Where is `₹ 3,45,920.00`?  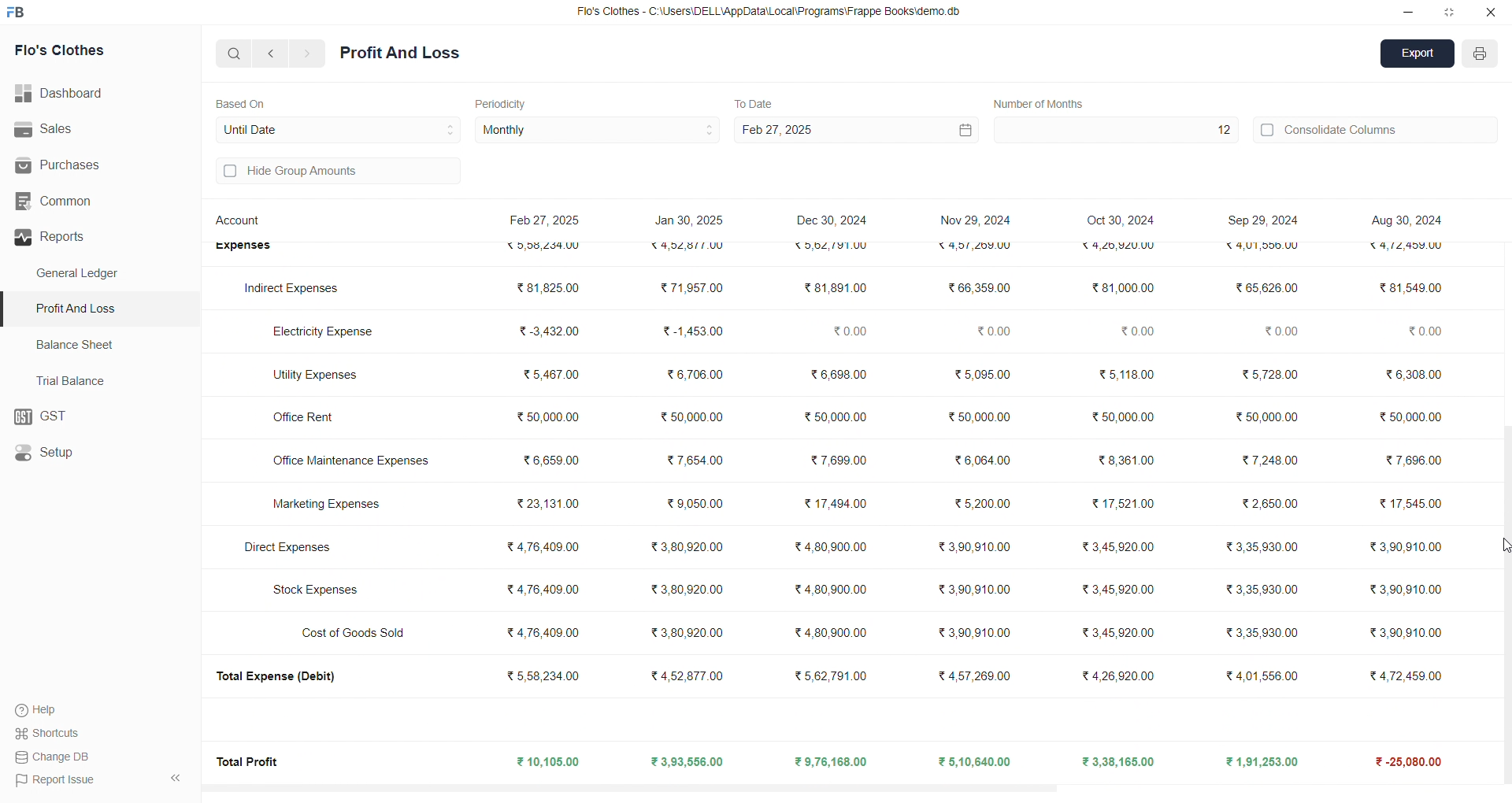 ₹ 3,45,920.00 is located at coordinates (1117, 589).